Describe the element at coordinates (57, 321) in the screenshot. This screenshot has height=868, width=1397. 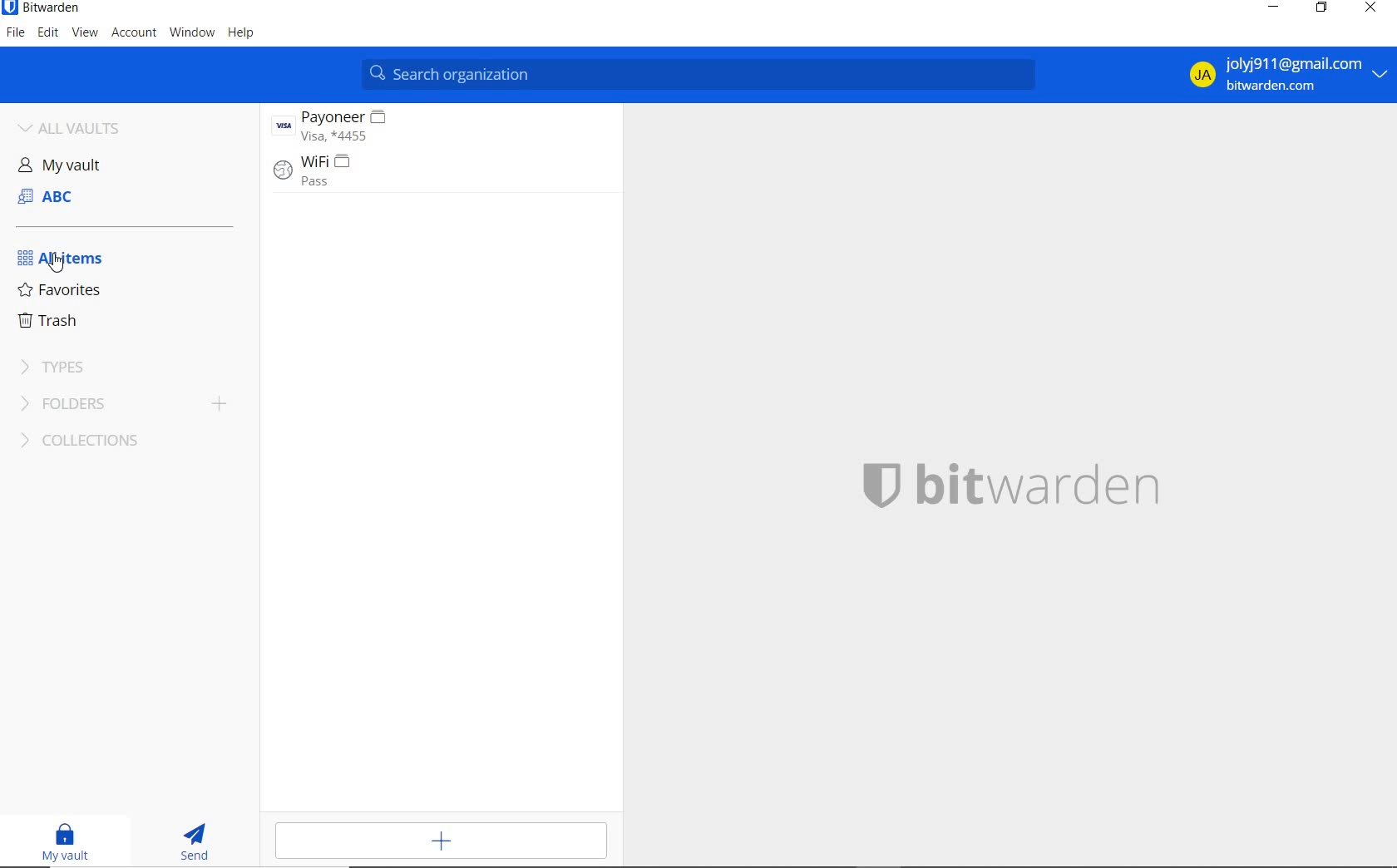
I see `TRASH` at that location.